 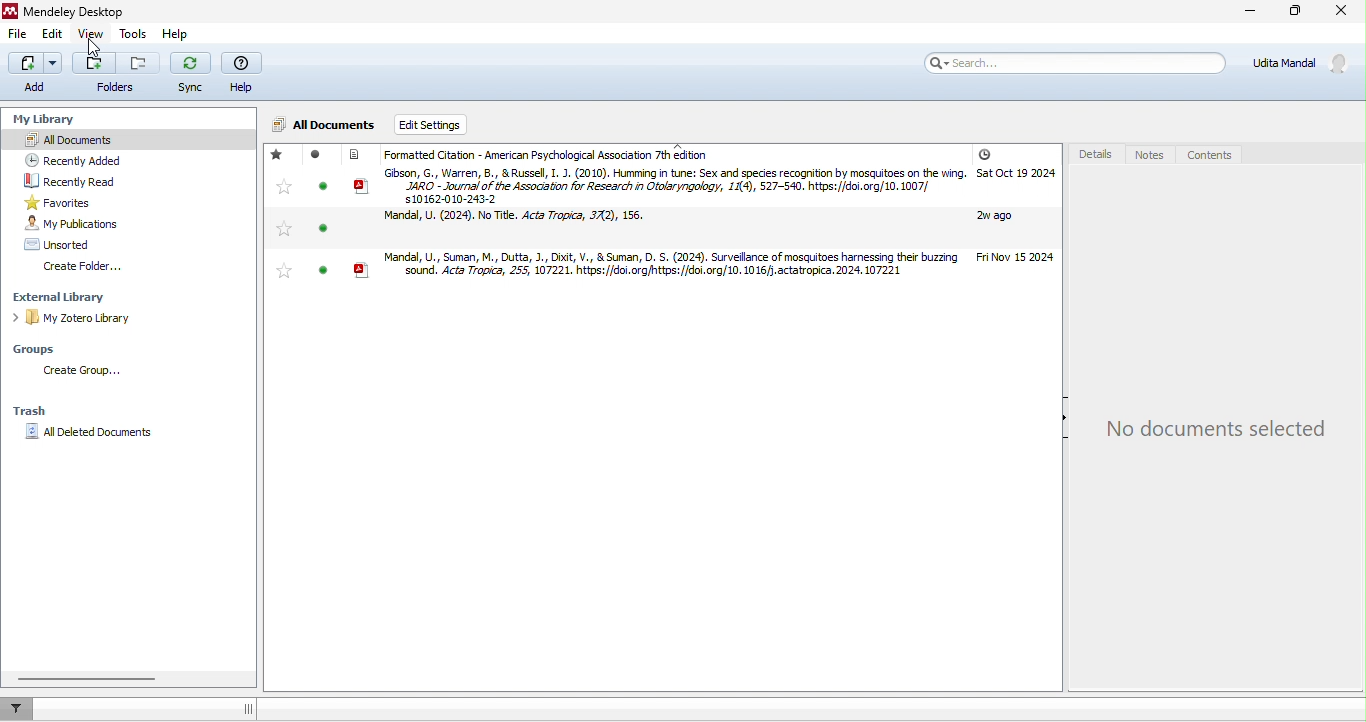 What do you see at coordinates (22, 37) in the screenshot?
I see `file` at bounding box center [22, 37].